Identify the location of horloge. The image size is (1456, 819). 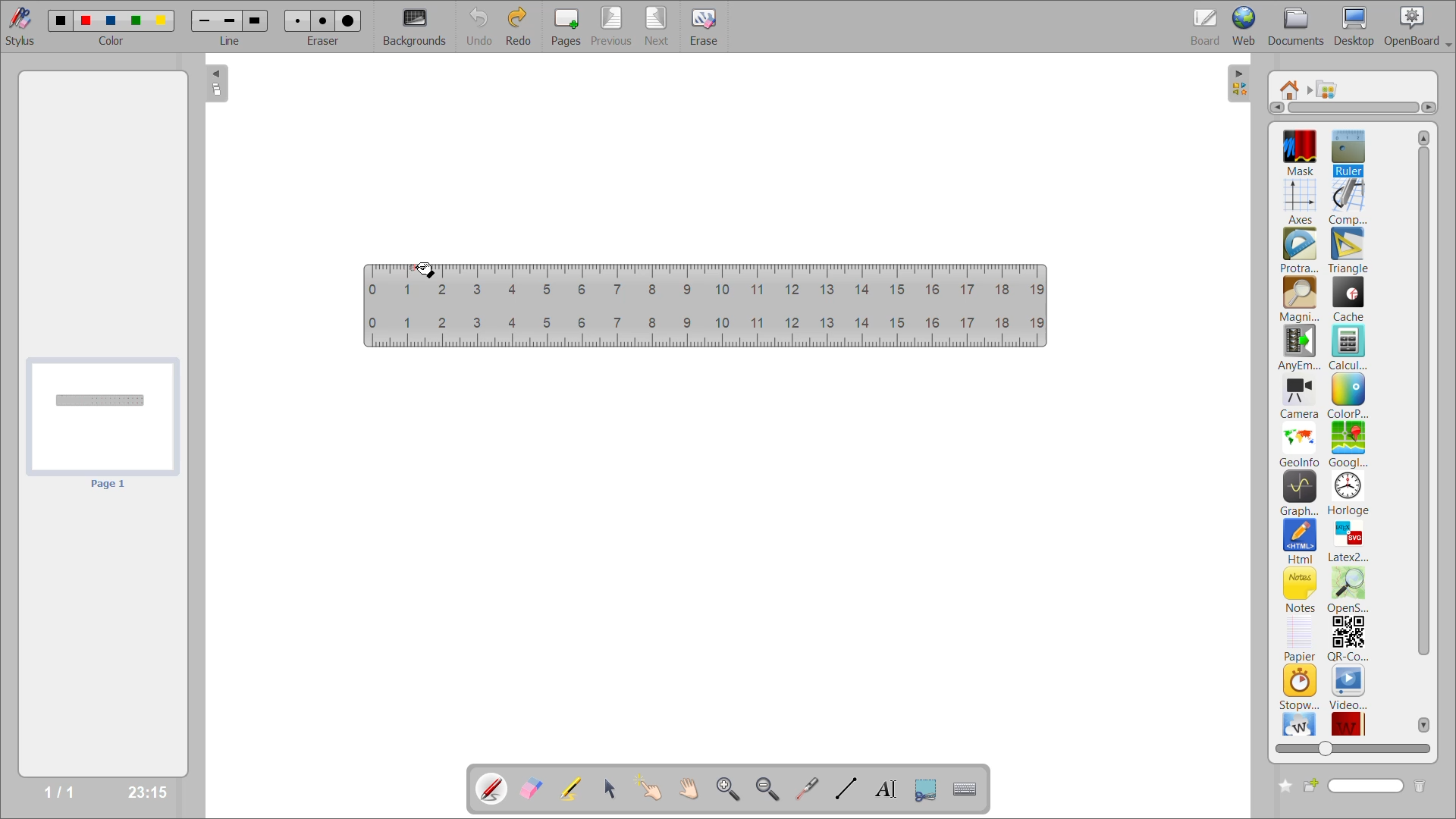
(1349, 493).